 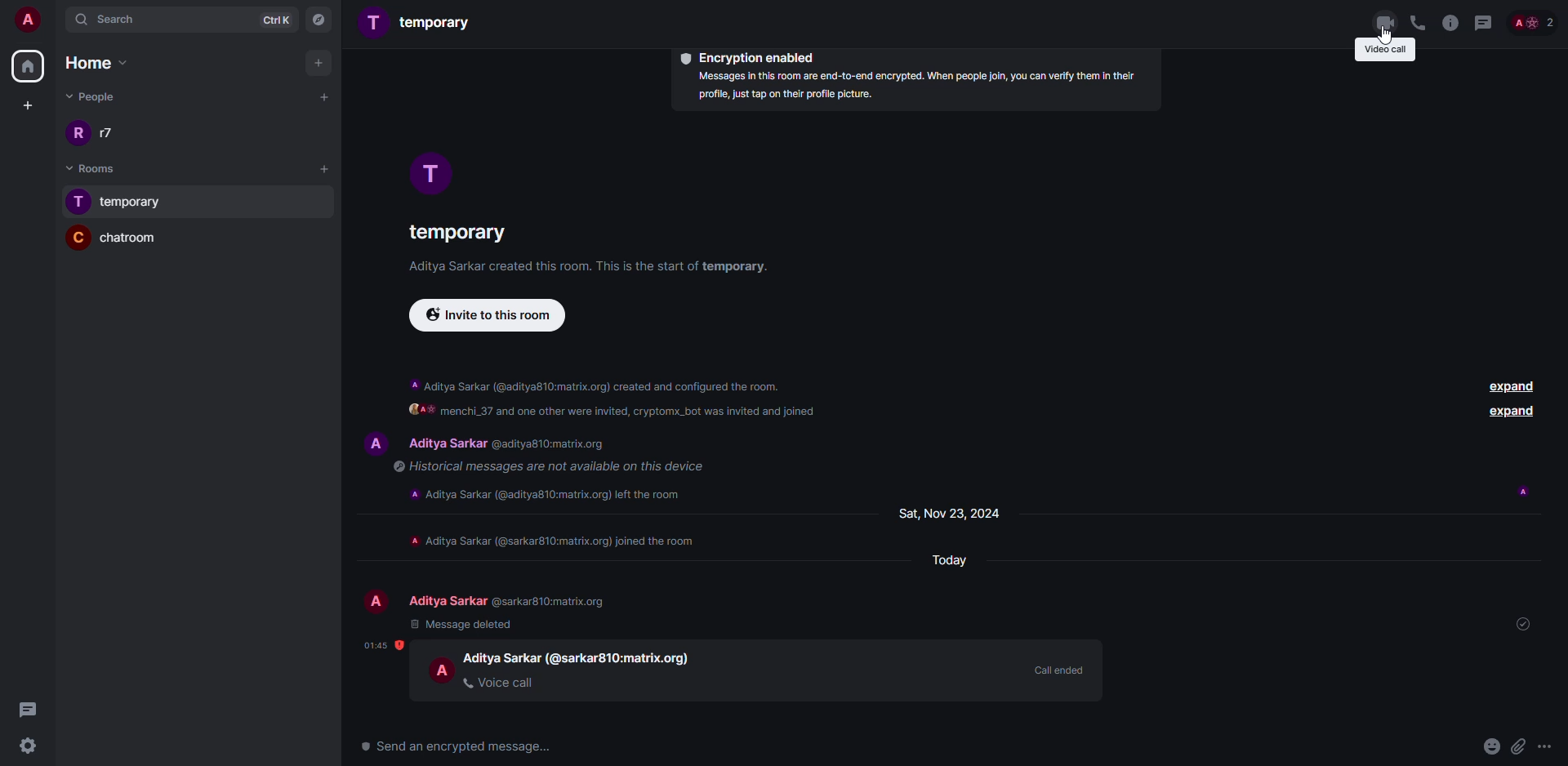 I want to click on invite, so click(x=488, y=318).